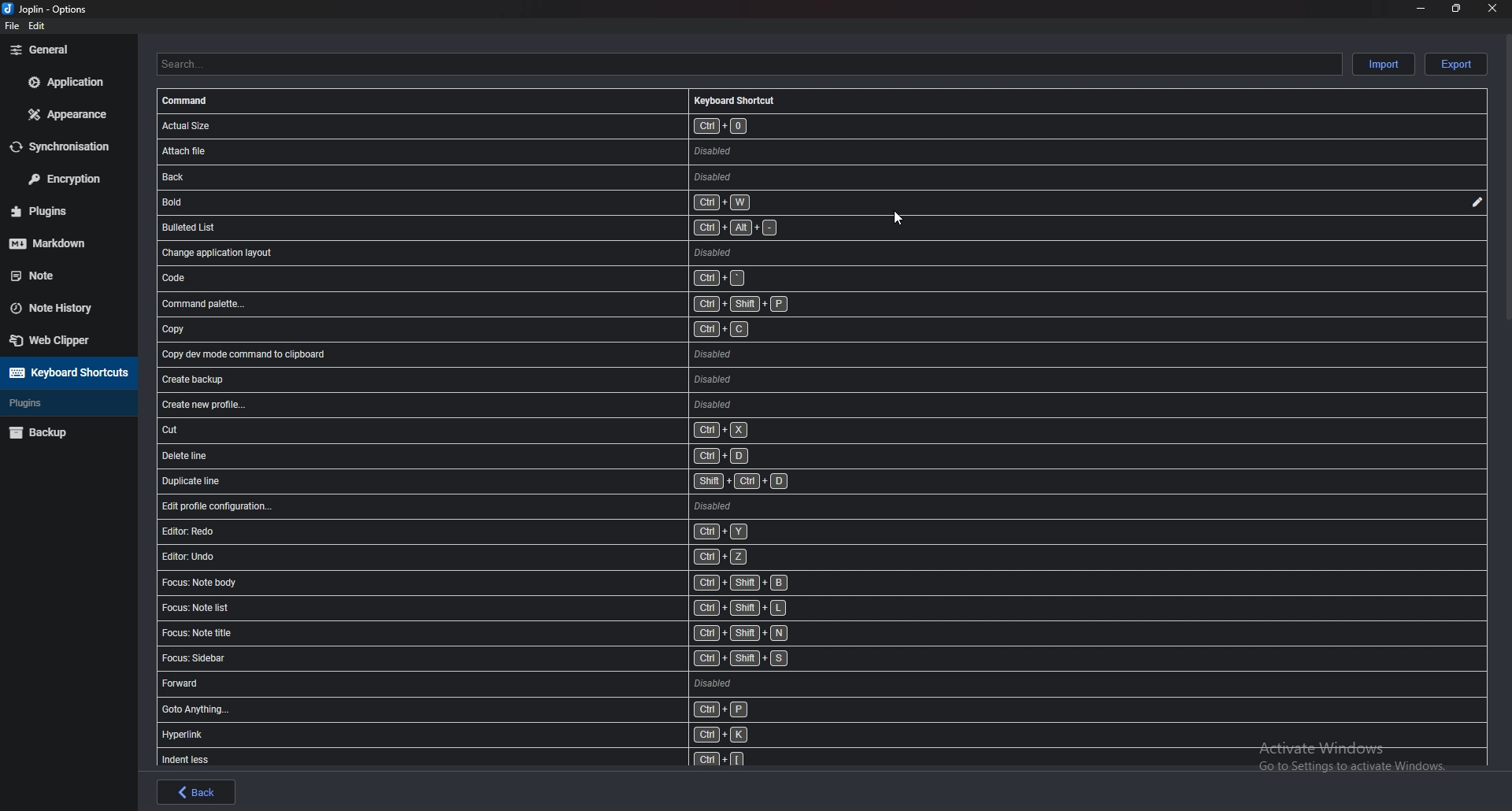 This screenshot has height=811, width=1512. I want to click on shortcut, so click(525, 405).